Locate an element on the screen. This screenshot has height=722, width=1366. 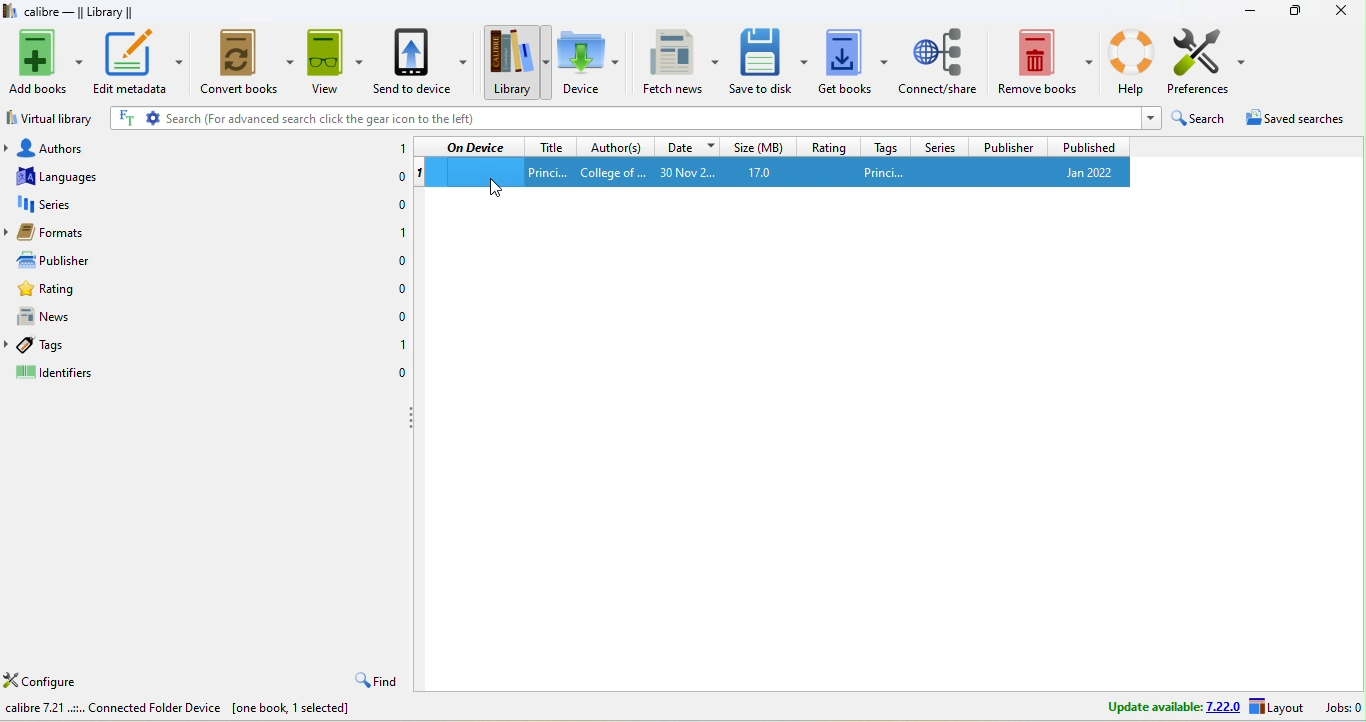
news is located at coordinates (60, 315).